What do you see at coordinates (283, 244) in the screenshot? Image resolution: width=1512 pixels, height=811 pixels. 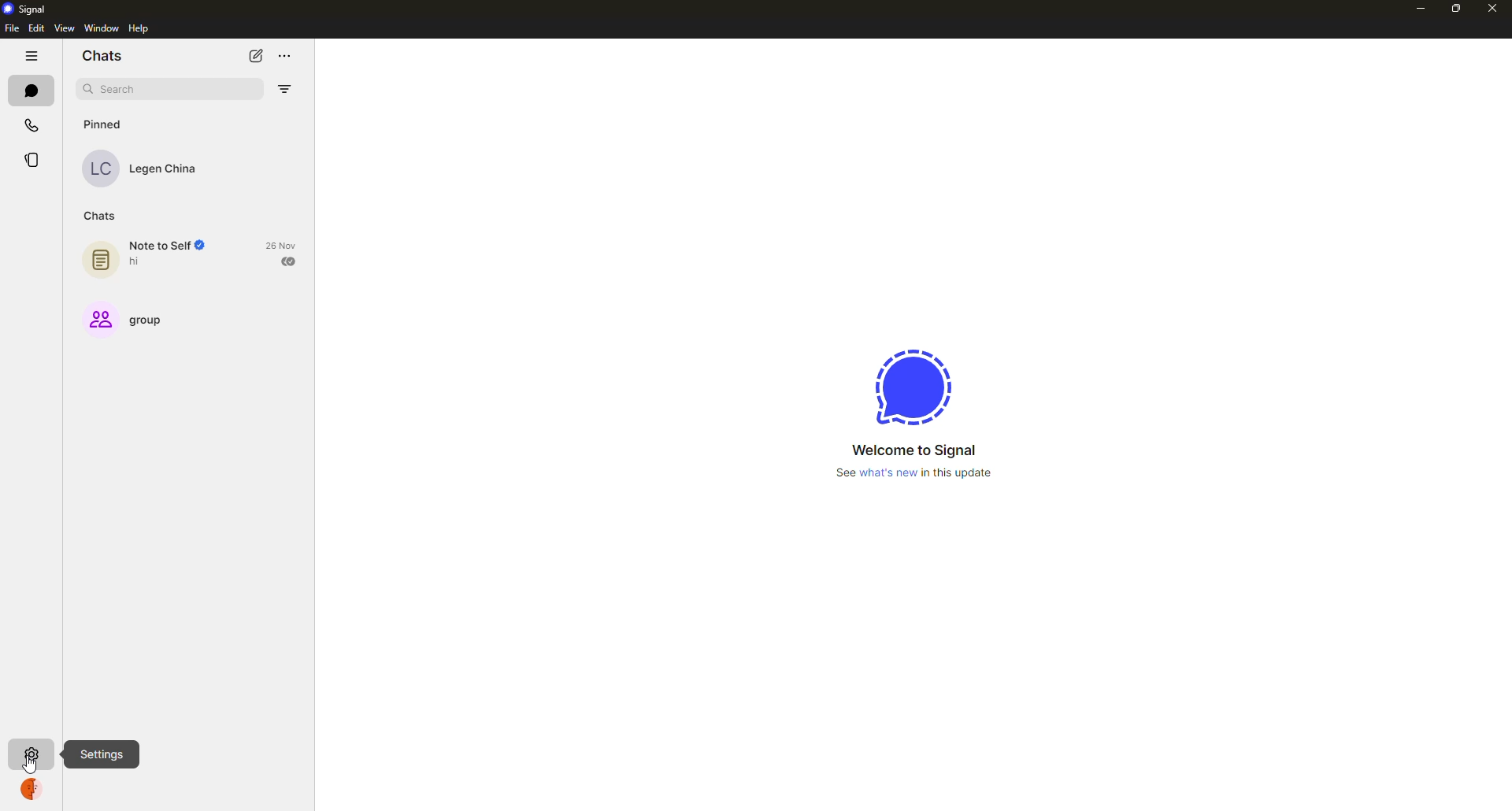 I see `date` at bounding box center [283, 244].